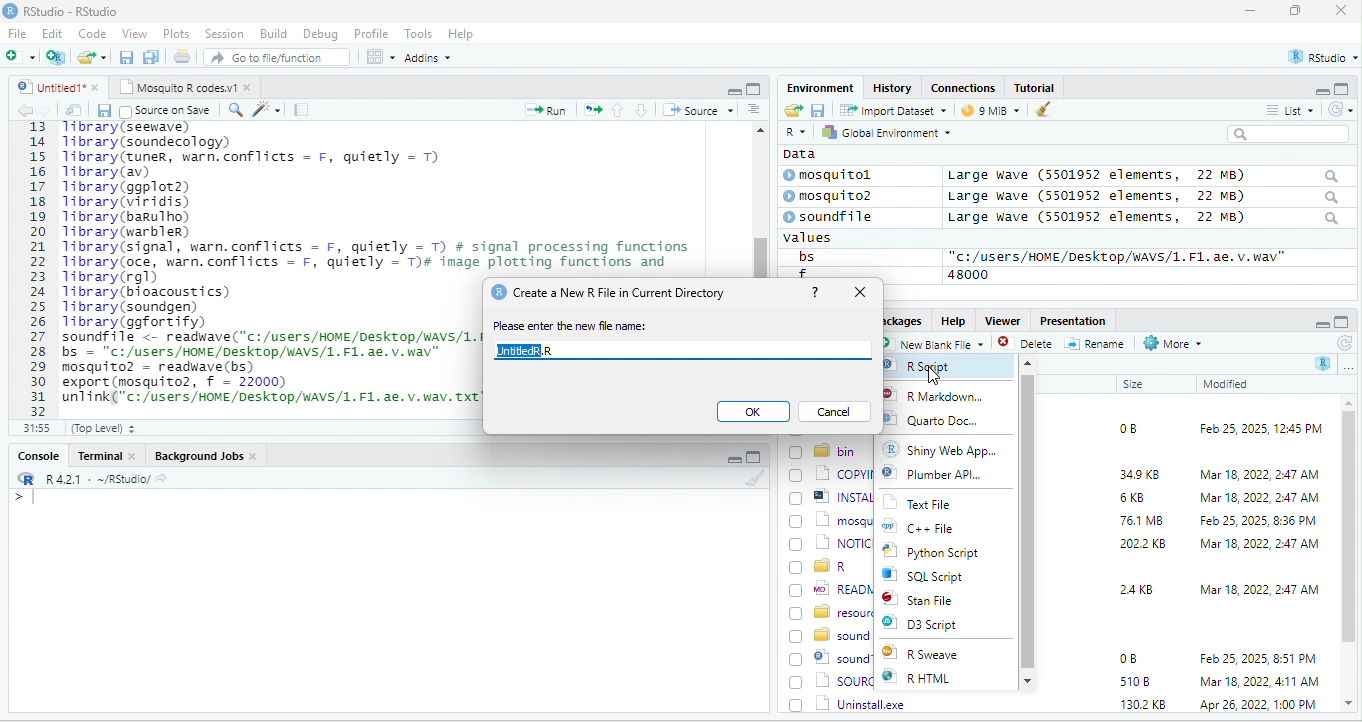 Image resolution: width=1362 pixels, height=722 pixels. I want to click on 0B, so click(1127, 659).